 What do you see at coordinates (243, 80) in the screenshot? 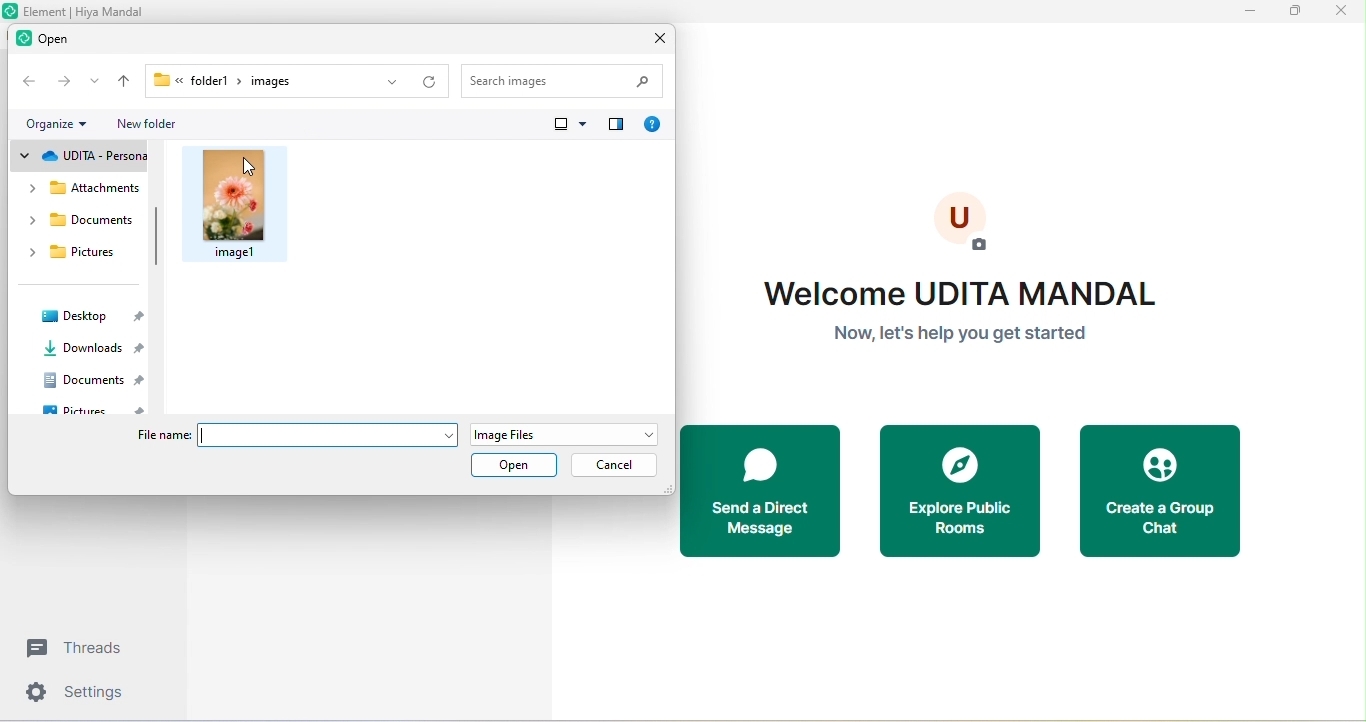
I see `folder 1>images` at bounding box center [243, 80].